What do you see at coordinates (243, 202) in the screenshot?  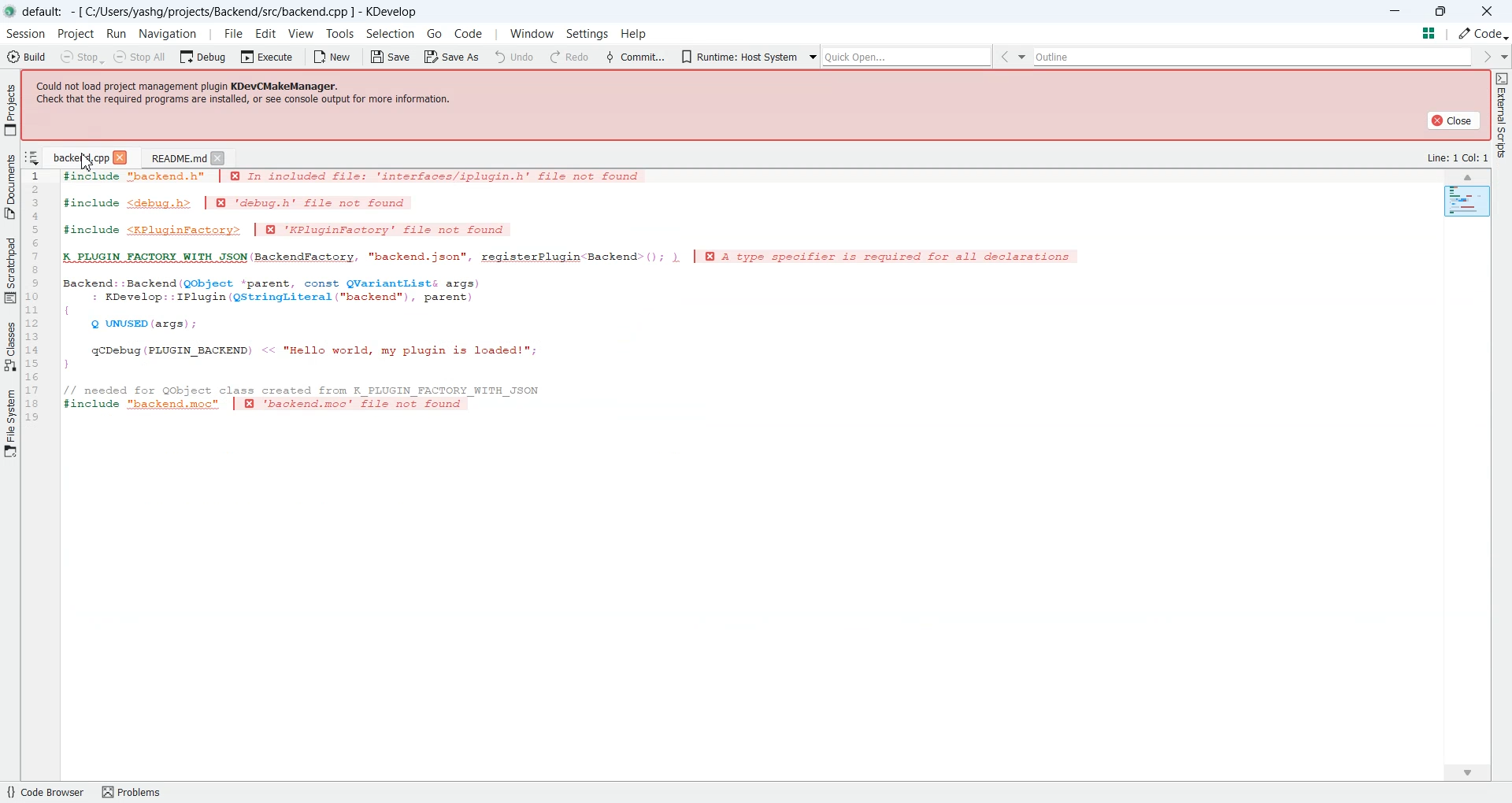 I see `$include <debug.h> | 'debug.h' file not found` at bounding box center [243, 202].